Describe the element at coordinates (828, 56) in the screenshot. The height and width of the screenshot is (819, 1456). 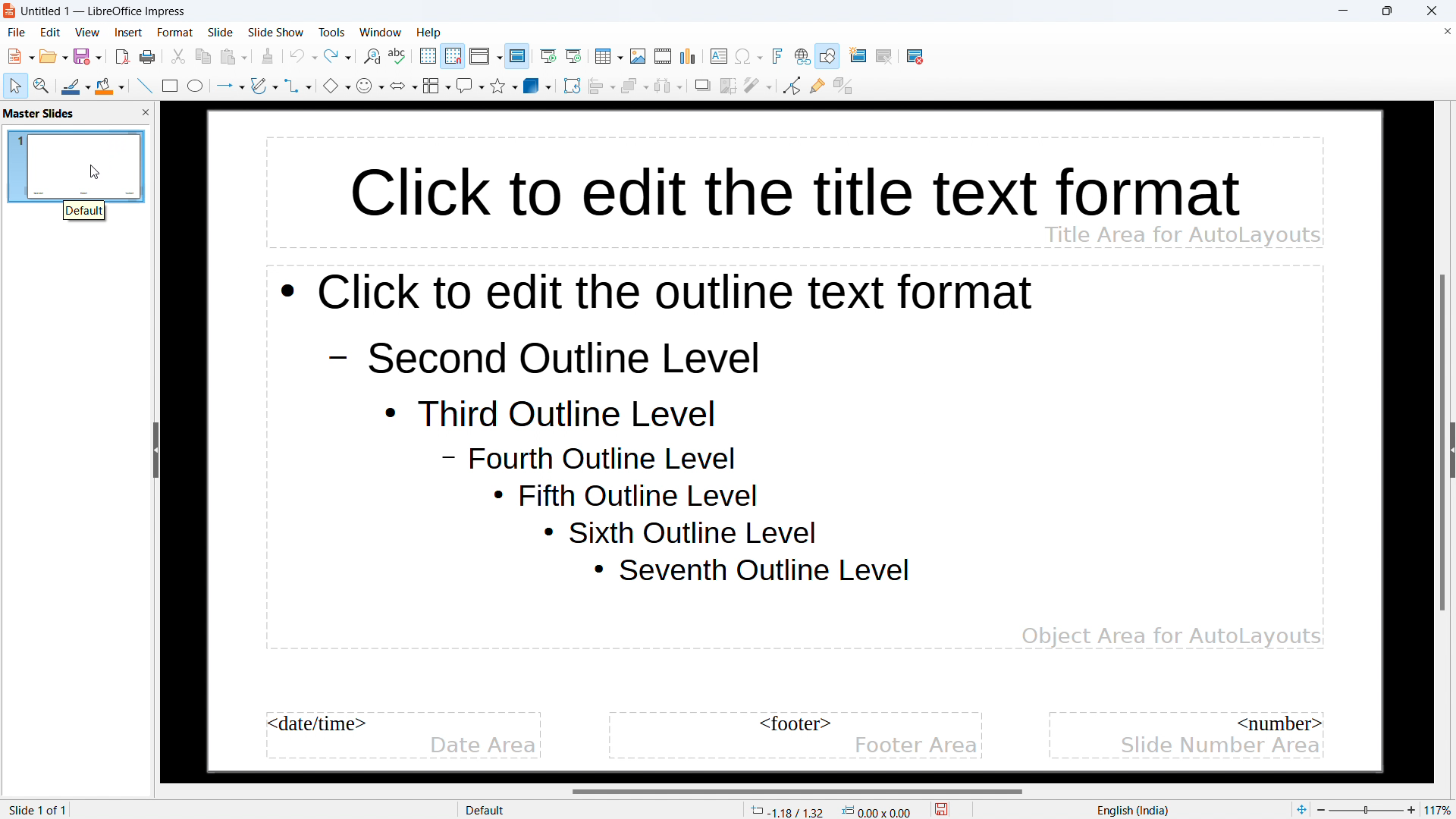
I see `show draw functions` at that location.